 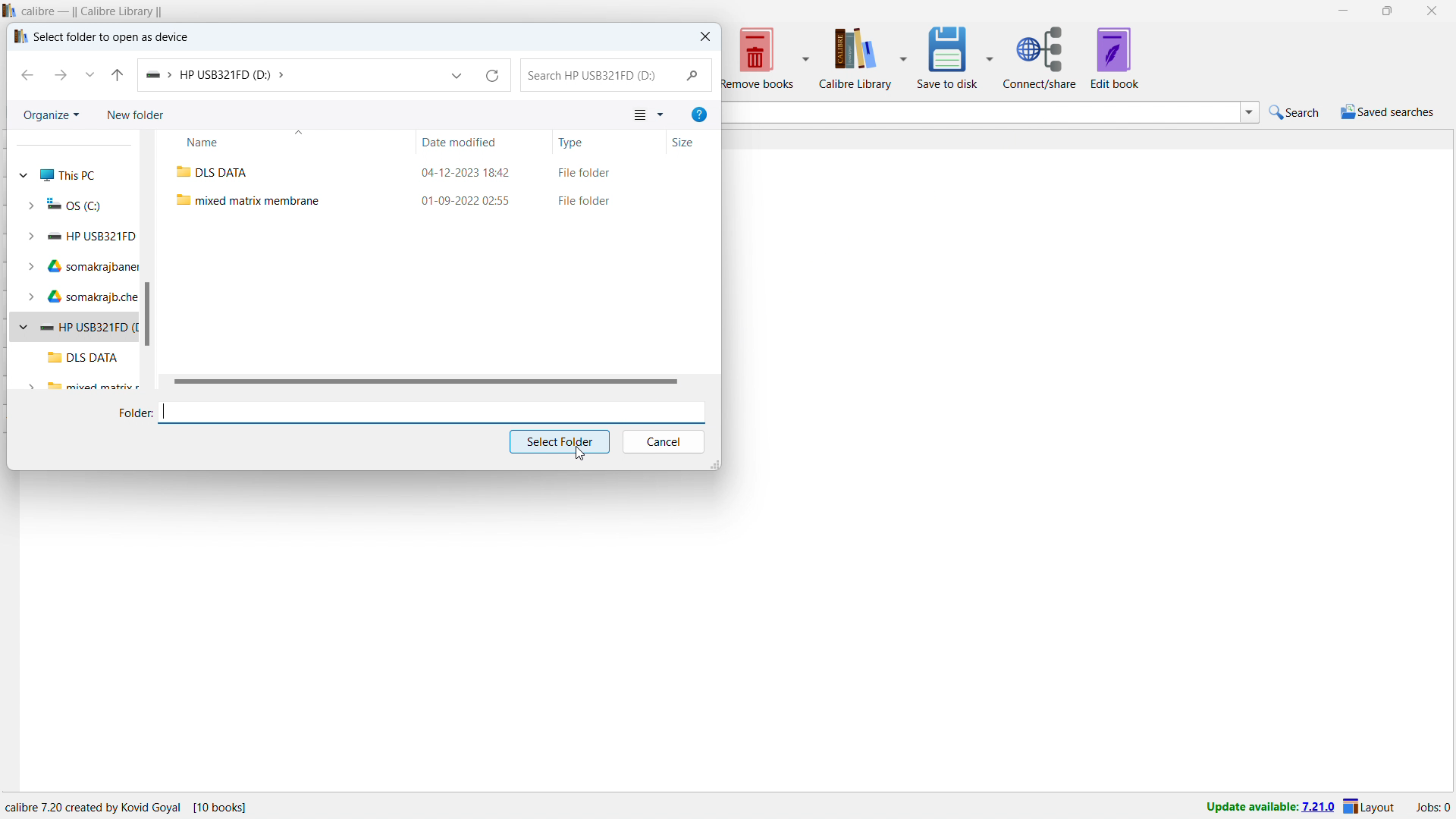 What do you see at coordinates (560, 442) in the screenshot?
I see `select folder` at bounding box center [560, 442].